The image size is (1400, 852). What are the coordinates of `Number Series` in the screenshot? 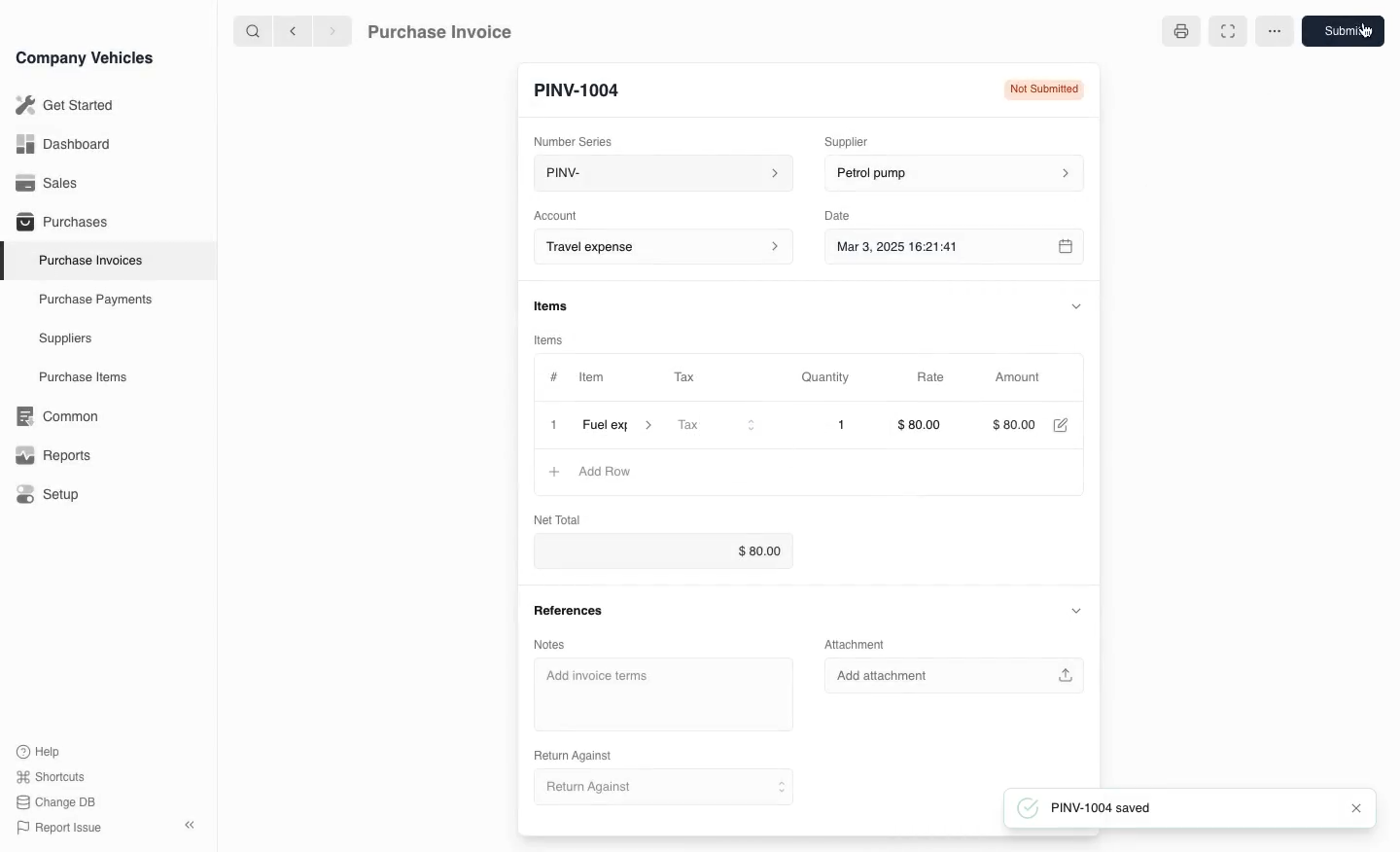 It's located at (579, 139).